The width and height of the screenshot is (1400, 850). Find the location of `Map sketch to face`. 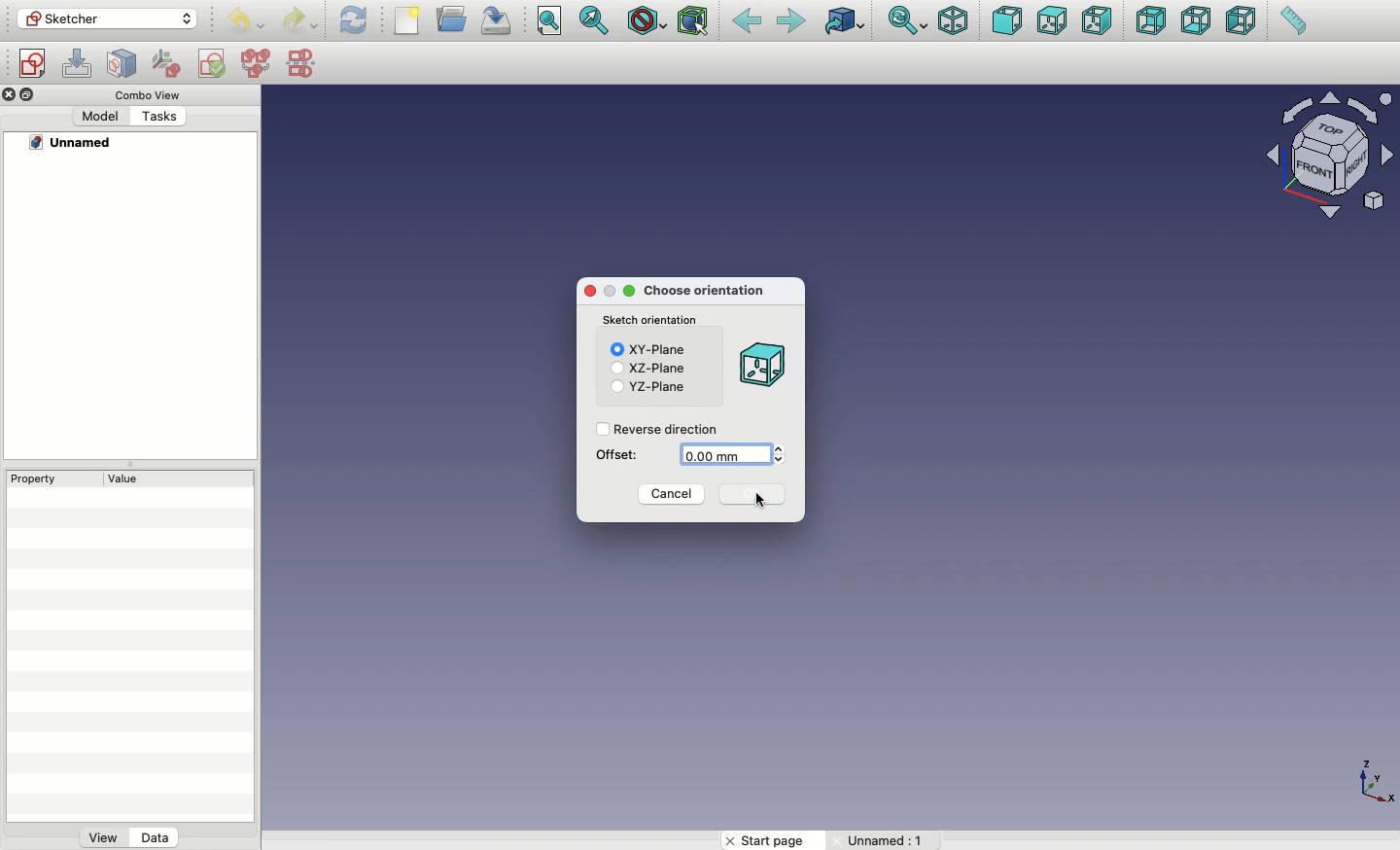

Map sketch to face is located at coordinates (122, 64).